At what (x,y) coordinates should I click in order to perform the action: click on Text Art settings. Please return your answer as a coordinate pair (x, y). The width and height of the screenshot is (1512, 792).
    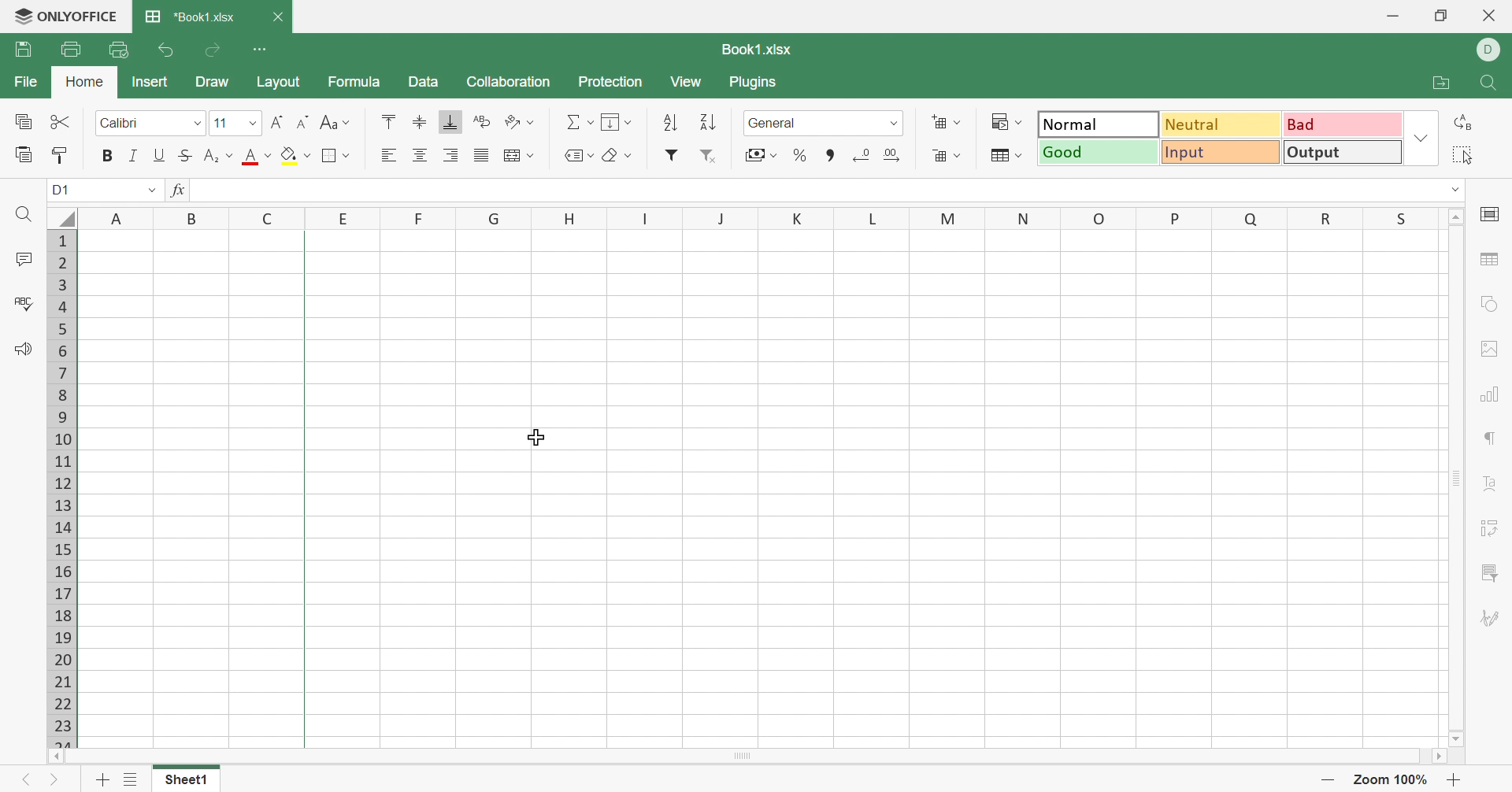
    Looking at the image, I should click on (1491, 483).